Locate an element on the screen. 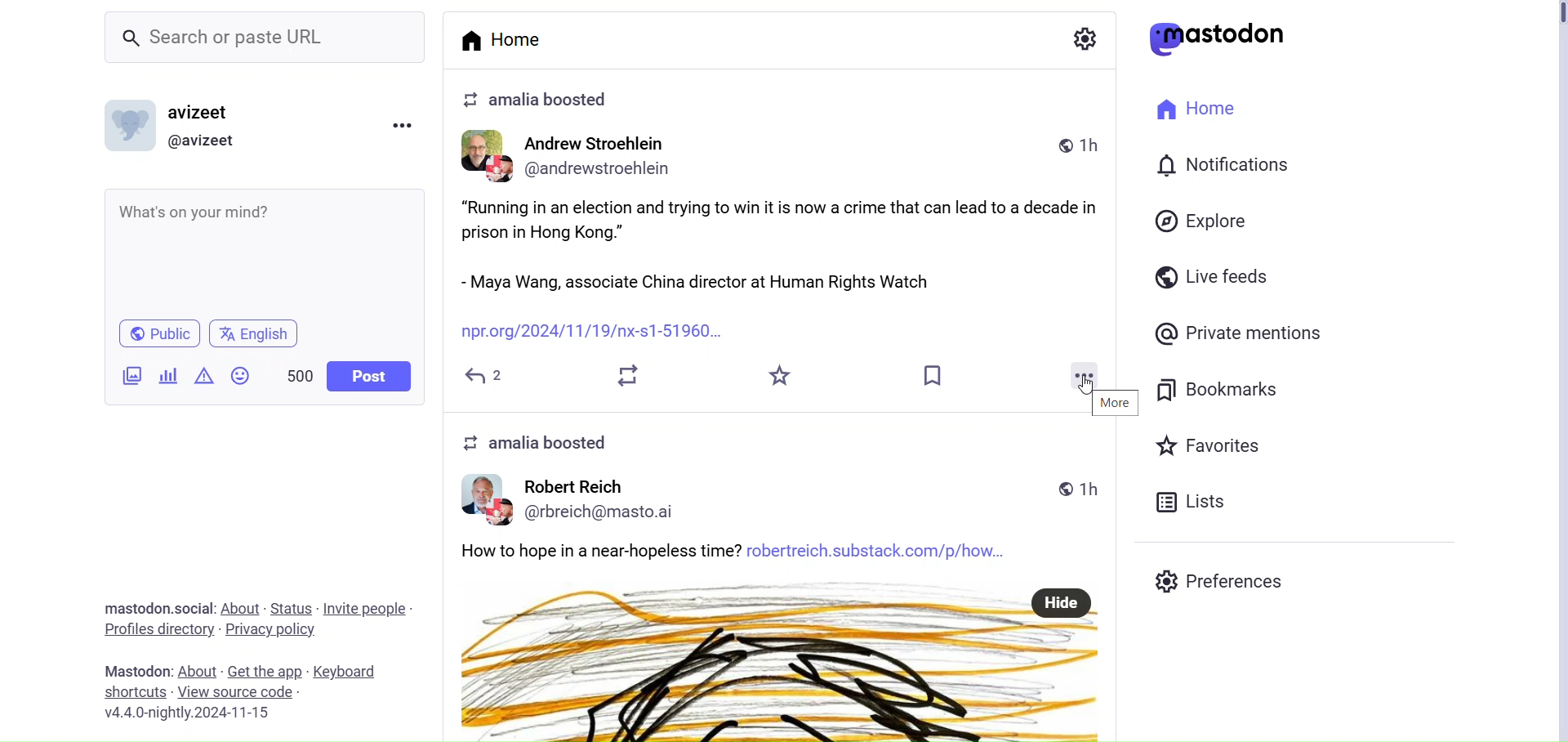 The height and width of the screenshot is (742, 1568). Explore is located at coordinates (1201, 220).